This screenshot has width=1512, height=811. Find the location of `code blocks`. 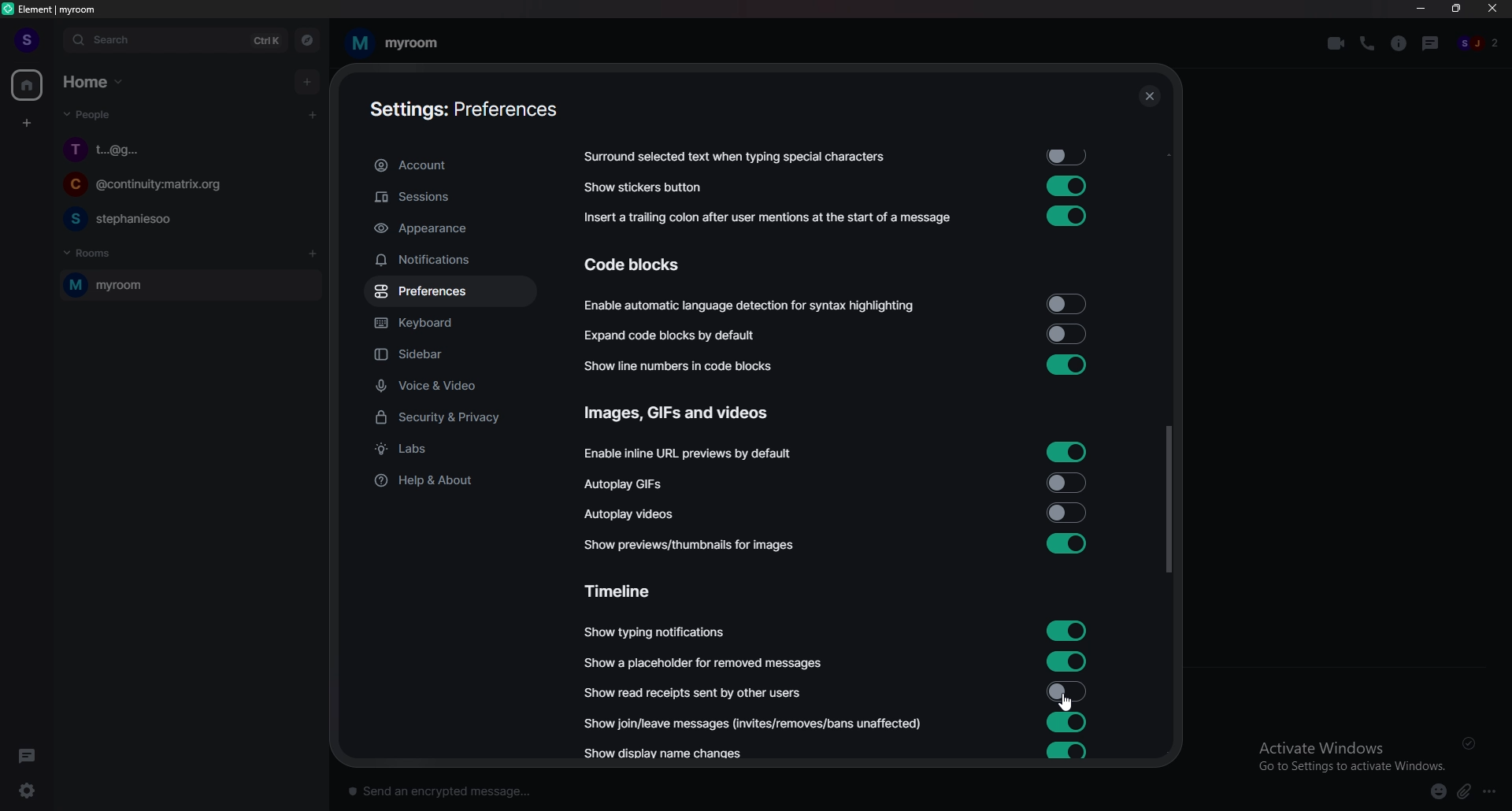

code blocks is located at coordinates (647, 265).